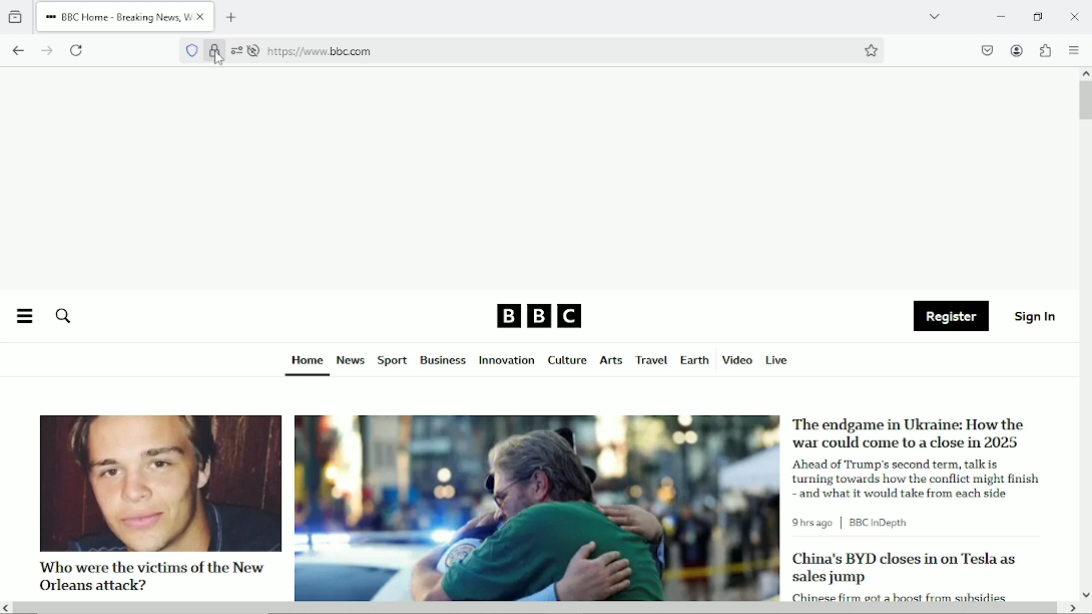  I want to click on Who were the victims of the New Orleans attack?, so click(149, 575).